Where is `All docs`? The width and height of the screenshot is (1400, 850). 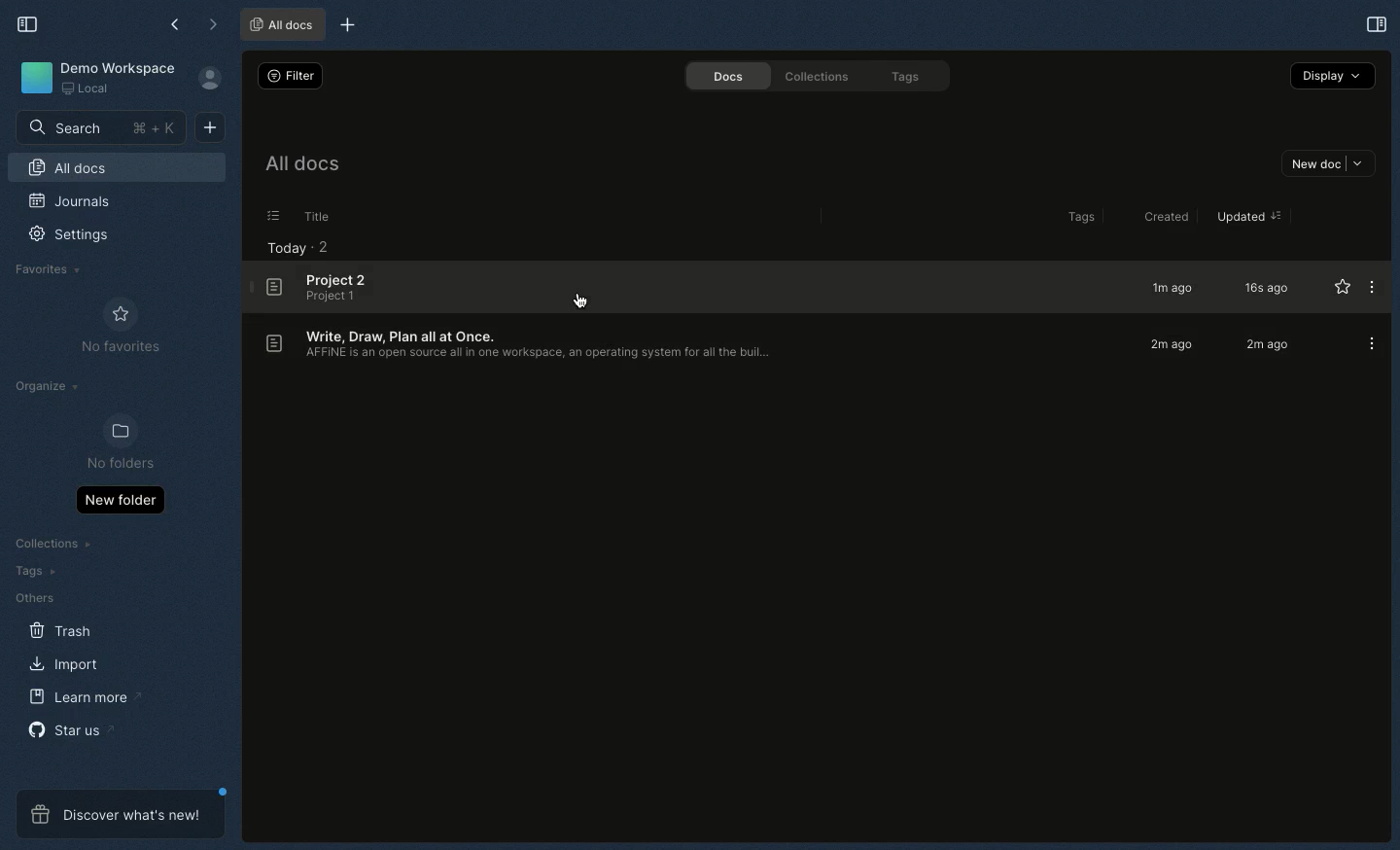 All docs is located at coordinates (299, 164).